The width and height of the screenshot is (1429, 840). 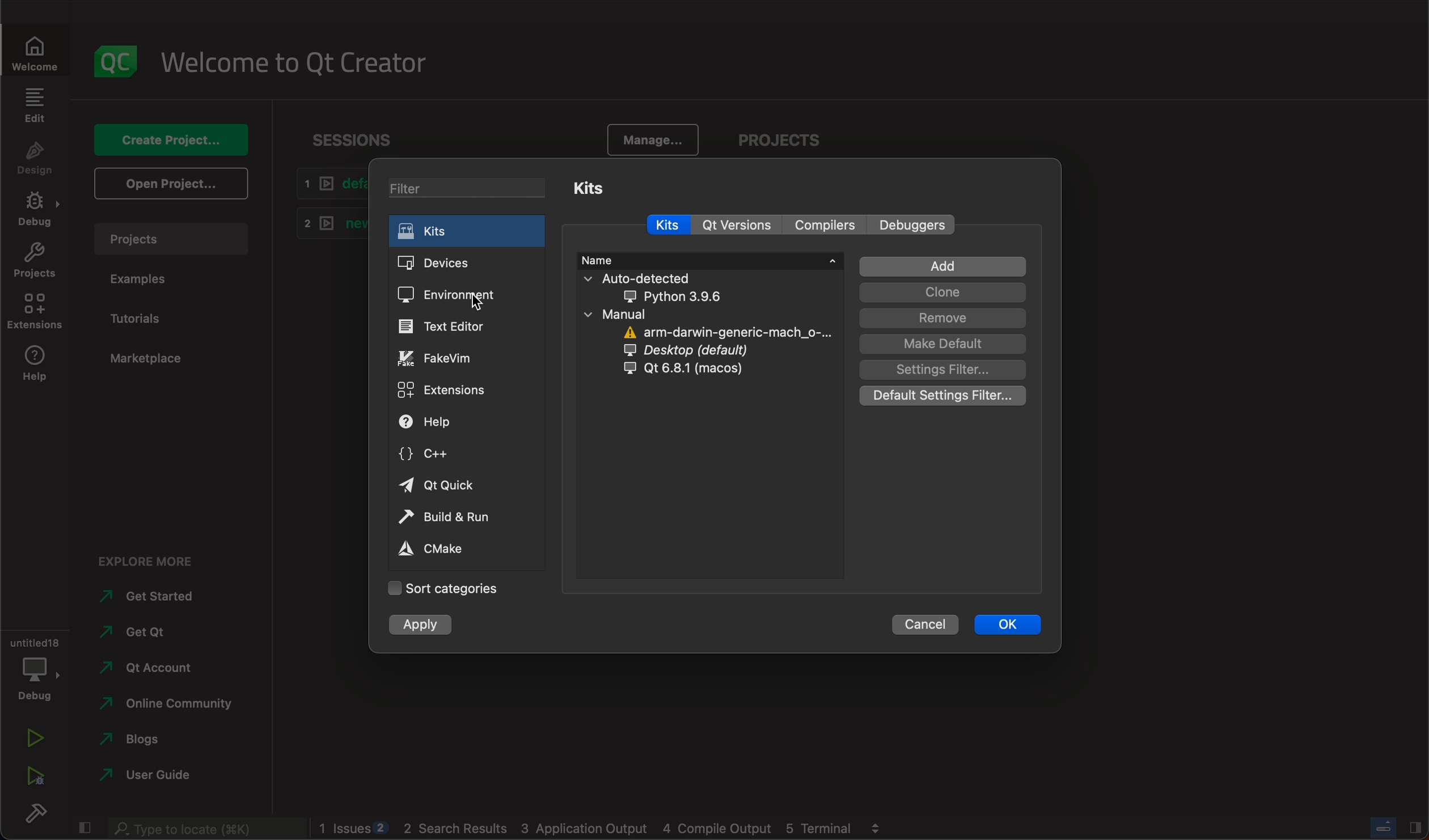 I want to click on account, so click(x=160, y=666).